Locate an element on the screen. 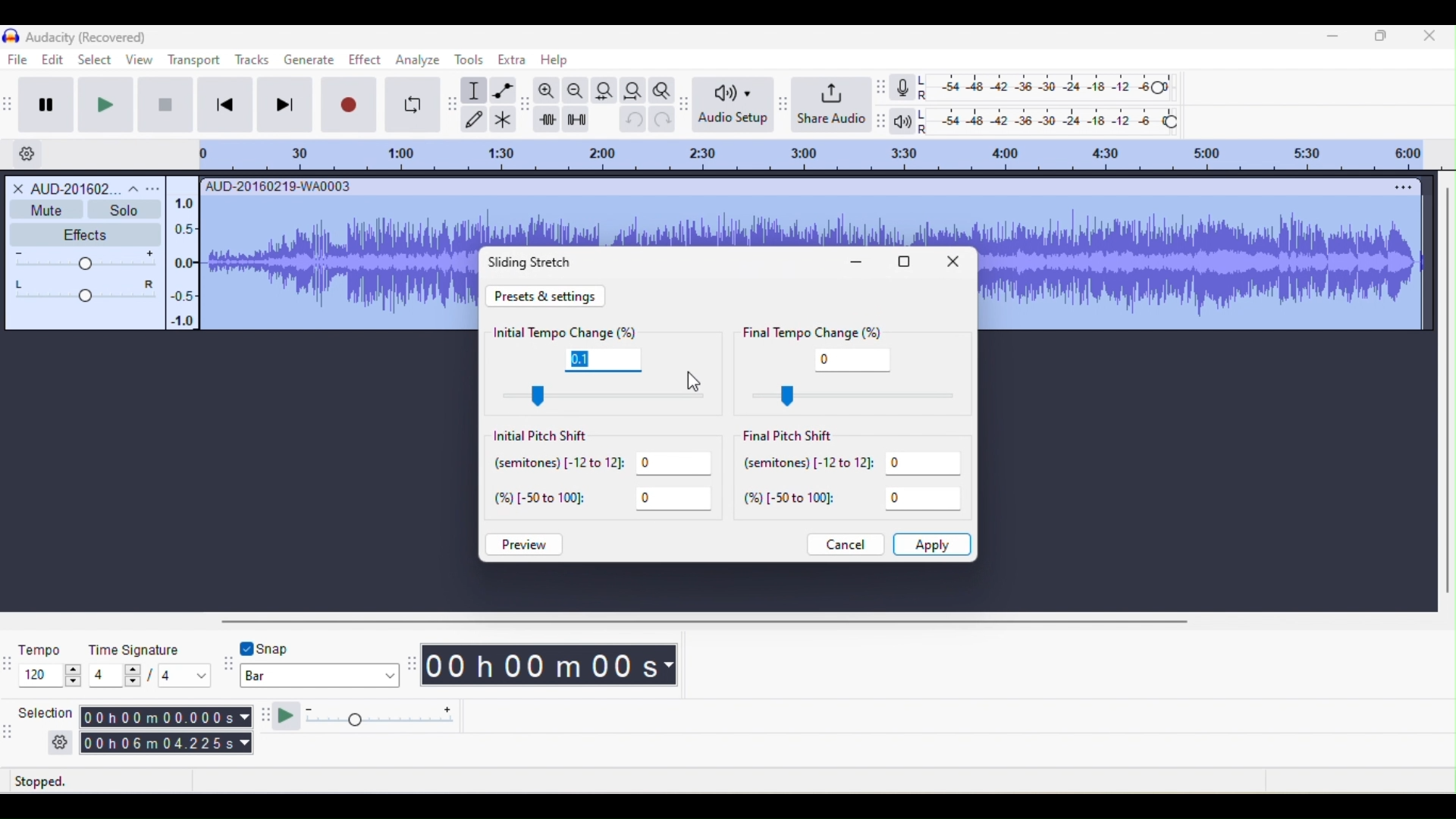  undo is located at coordinates (630, 123).